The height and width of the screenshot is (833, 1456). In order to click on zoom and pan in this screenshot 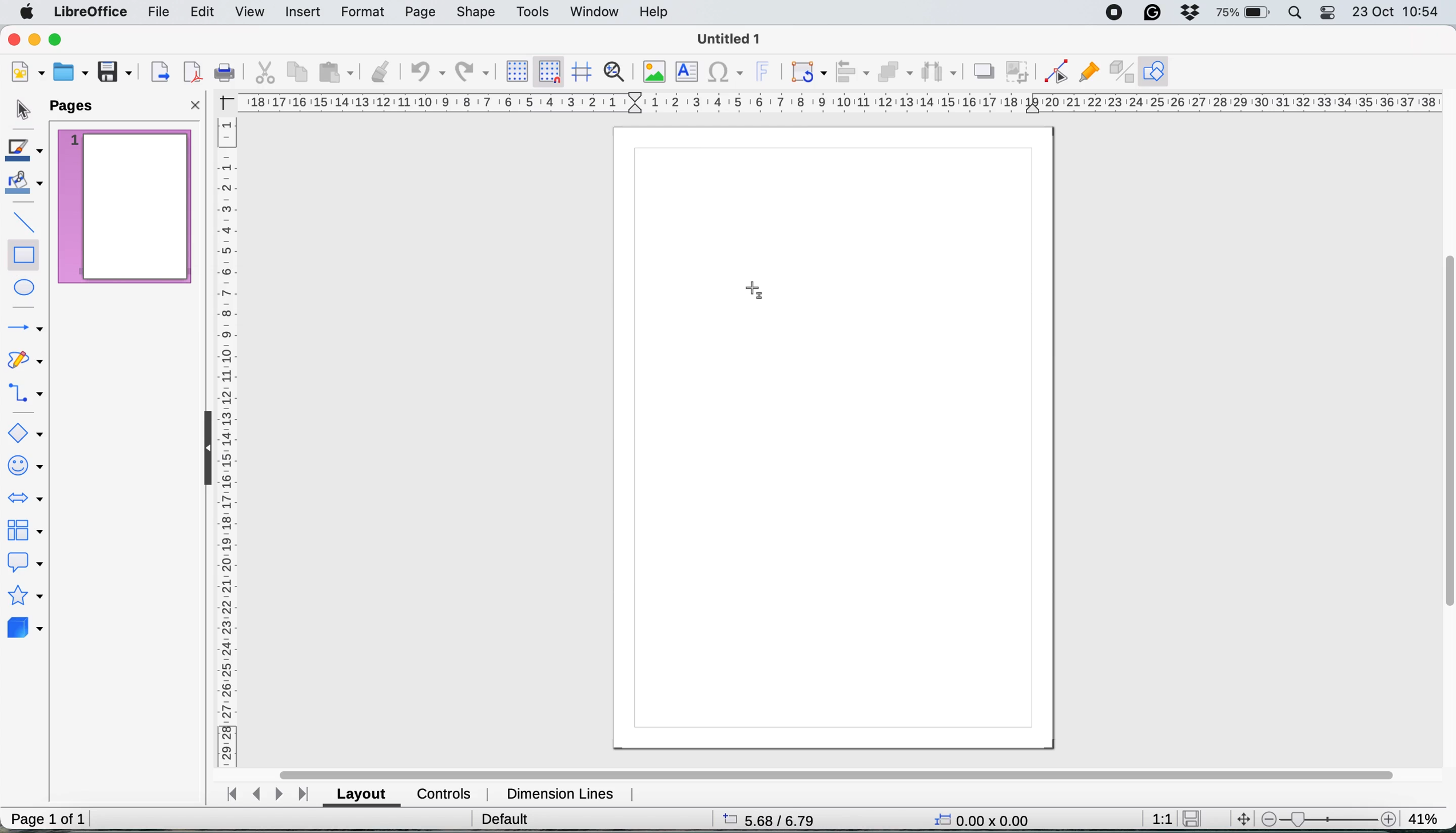, I will do `click(620, 71)`.